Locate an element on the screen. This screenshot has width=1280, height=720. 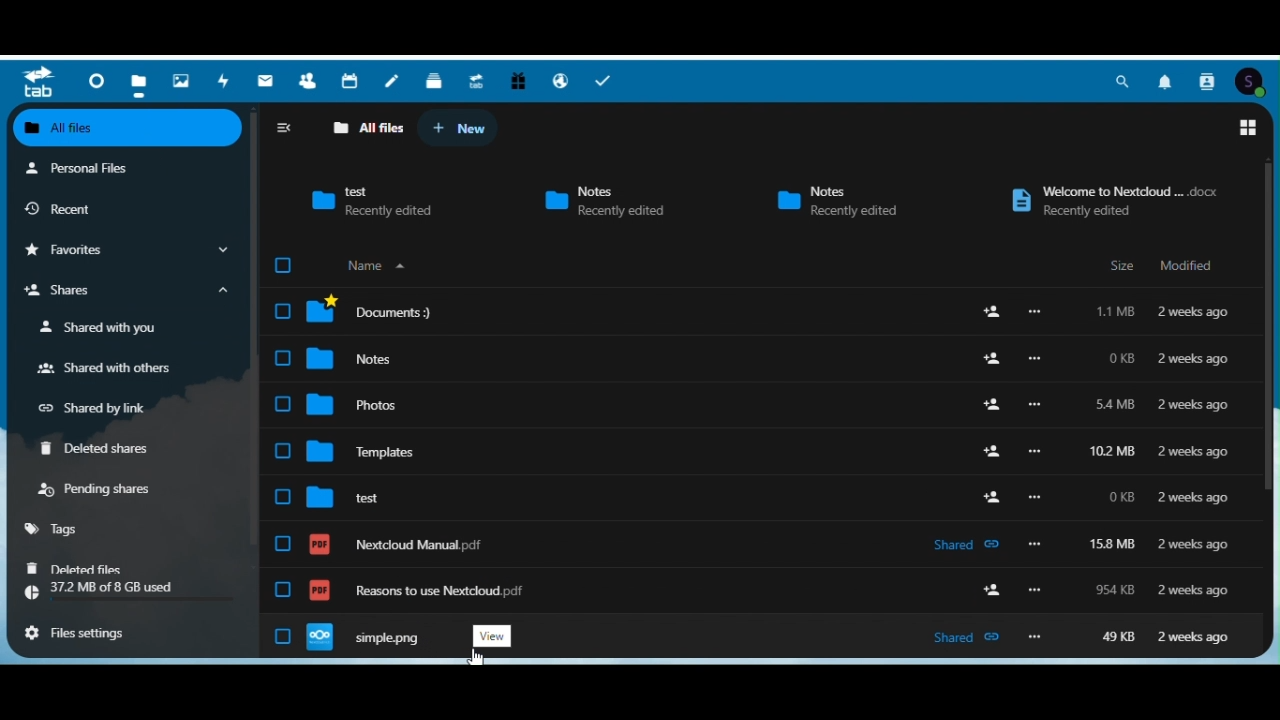
options is located at coordinates (1035, 590).